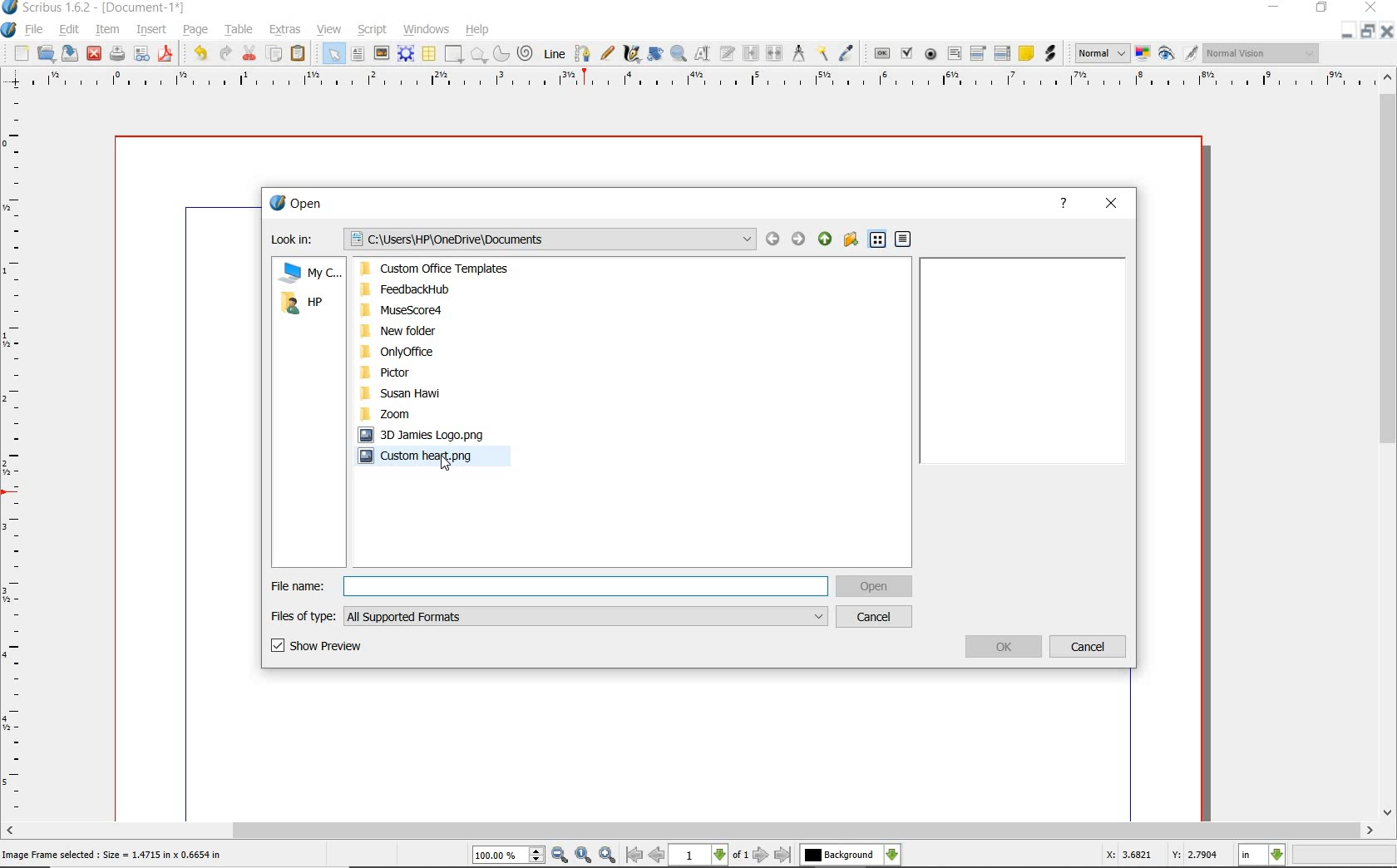 This screenshot has width=1397, height=868. Describe the element at coordinates (784, 855) in the screenshot. I see `go to last page` at that location.